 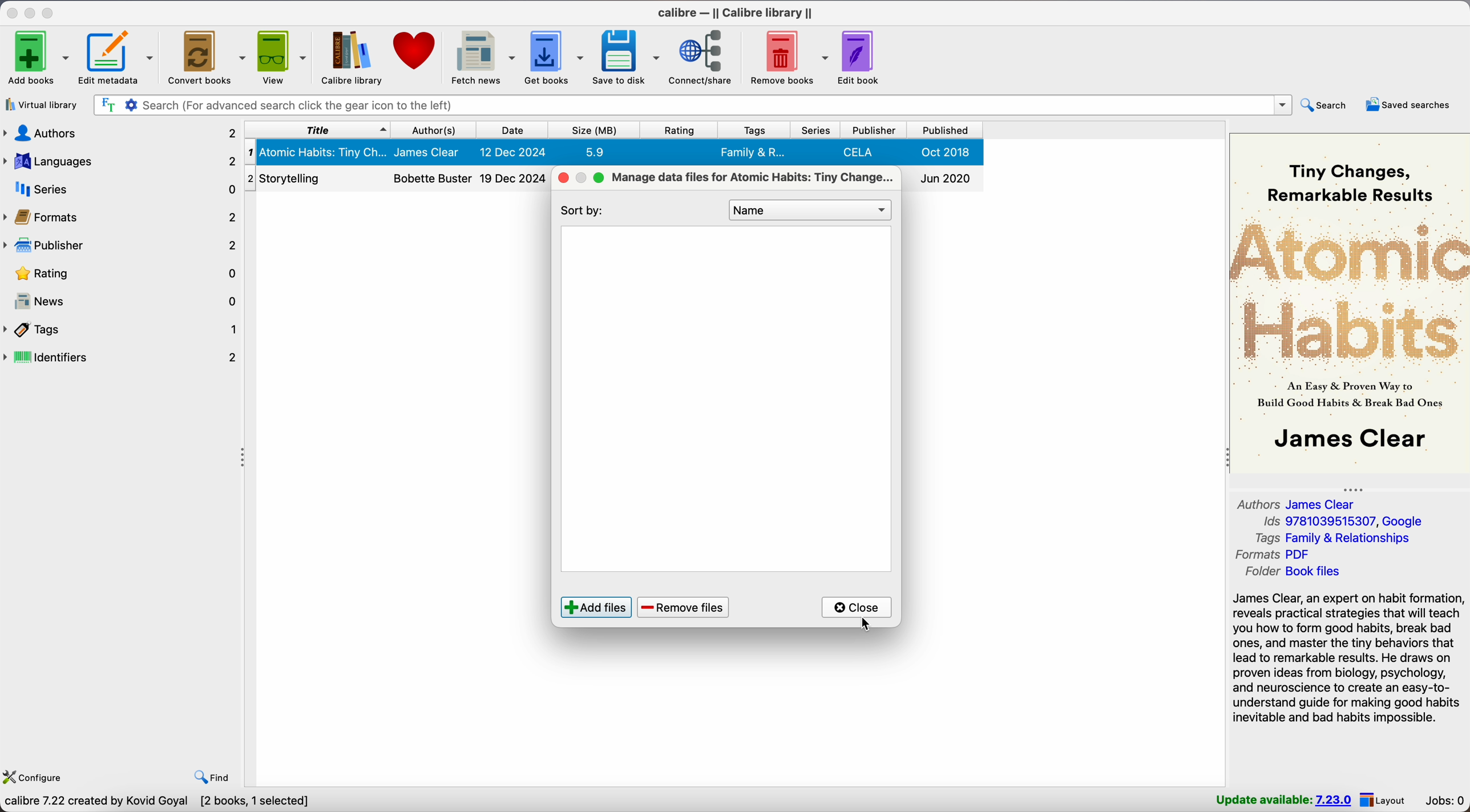 What do you see at coordinates (875, 131) in the screenshot?
I see `publisher` at bounding box center [875, 131].